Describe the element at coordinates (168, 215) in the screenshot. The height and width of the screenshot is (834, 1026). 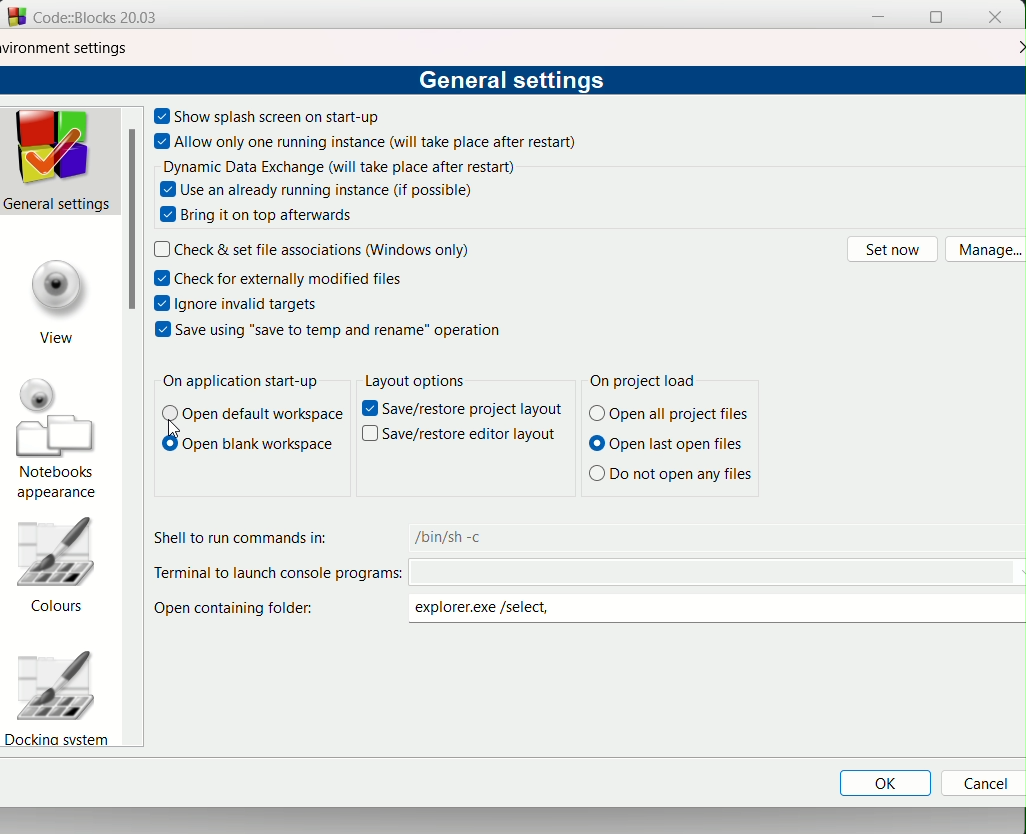
I see `checkbox` at that location.